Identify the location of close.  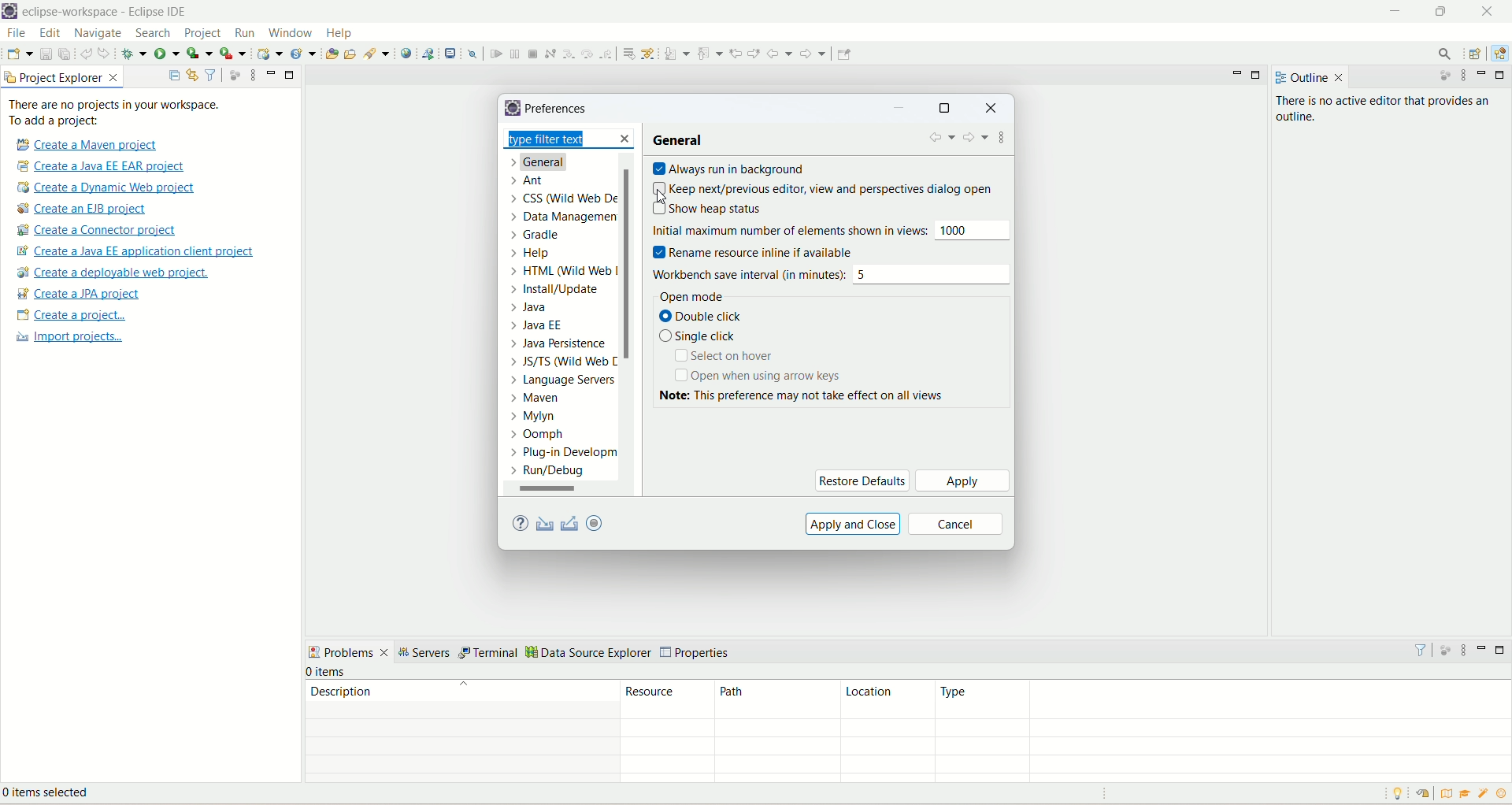
(624, 138).